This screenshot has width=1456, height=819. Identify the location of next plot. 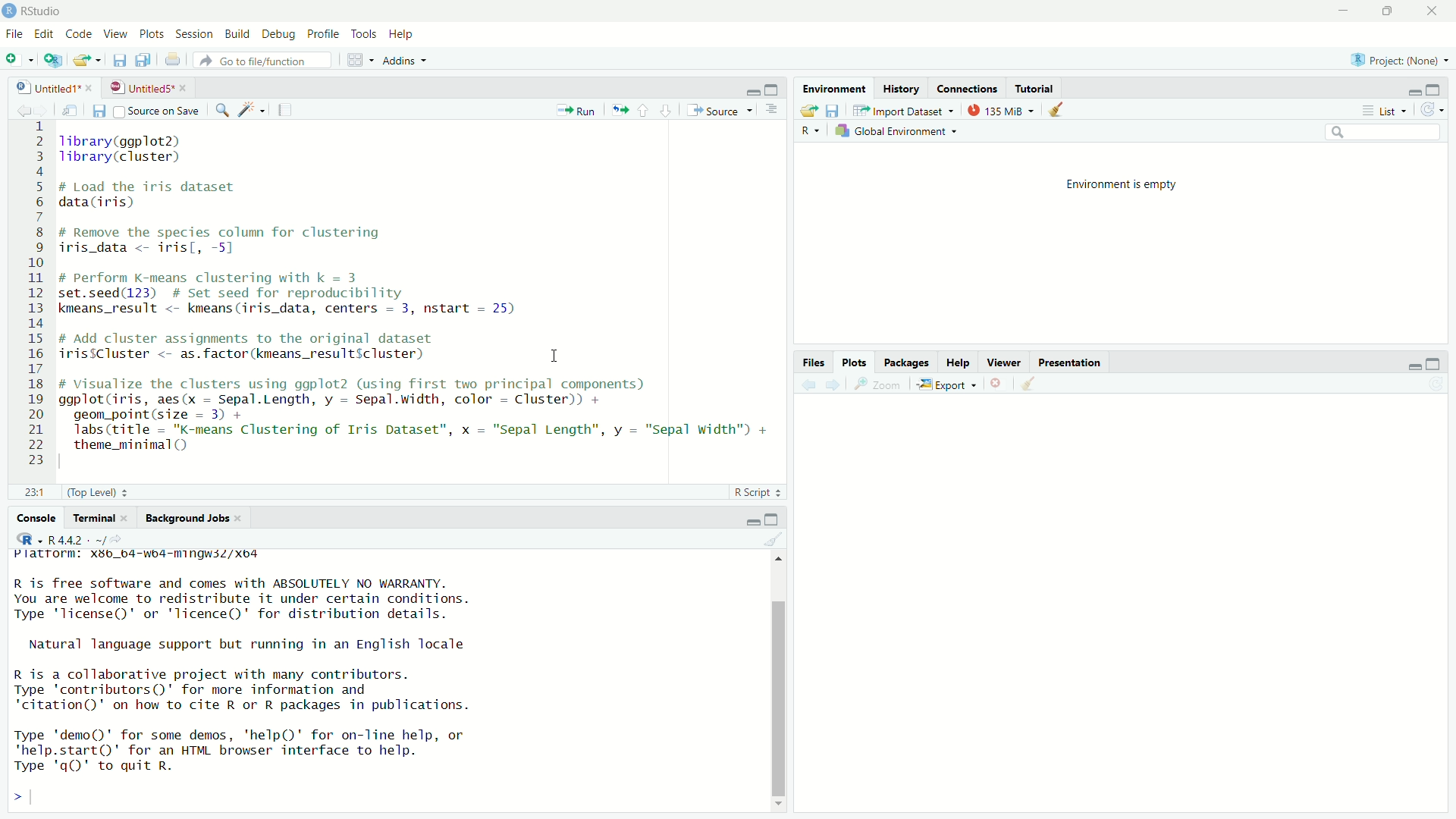
(830, 385).